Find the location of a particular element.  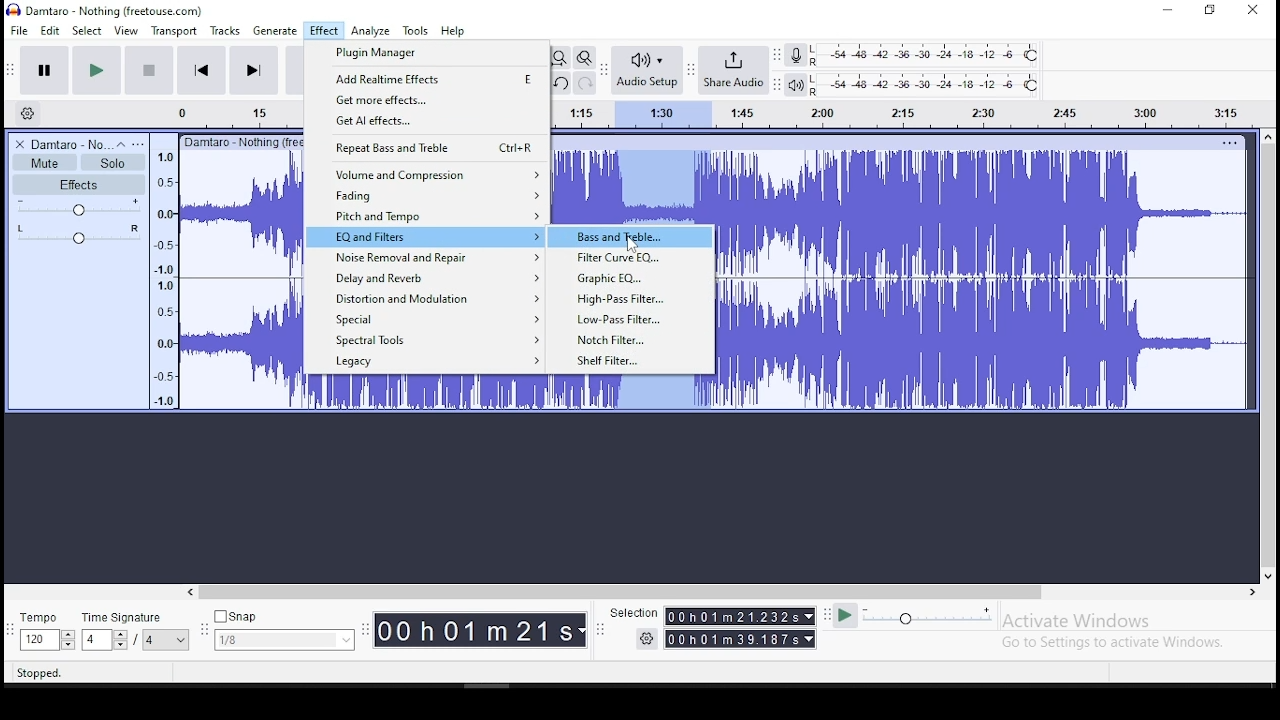

Cursor is located at coordinates (631, 245).